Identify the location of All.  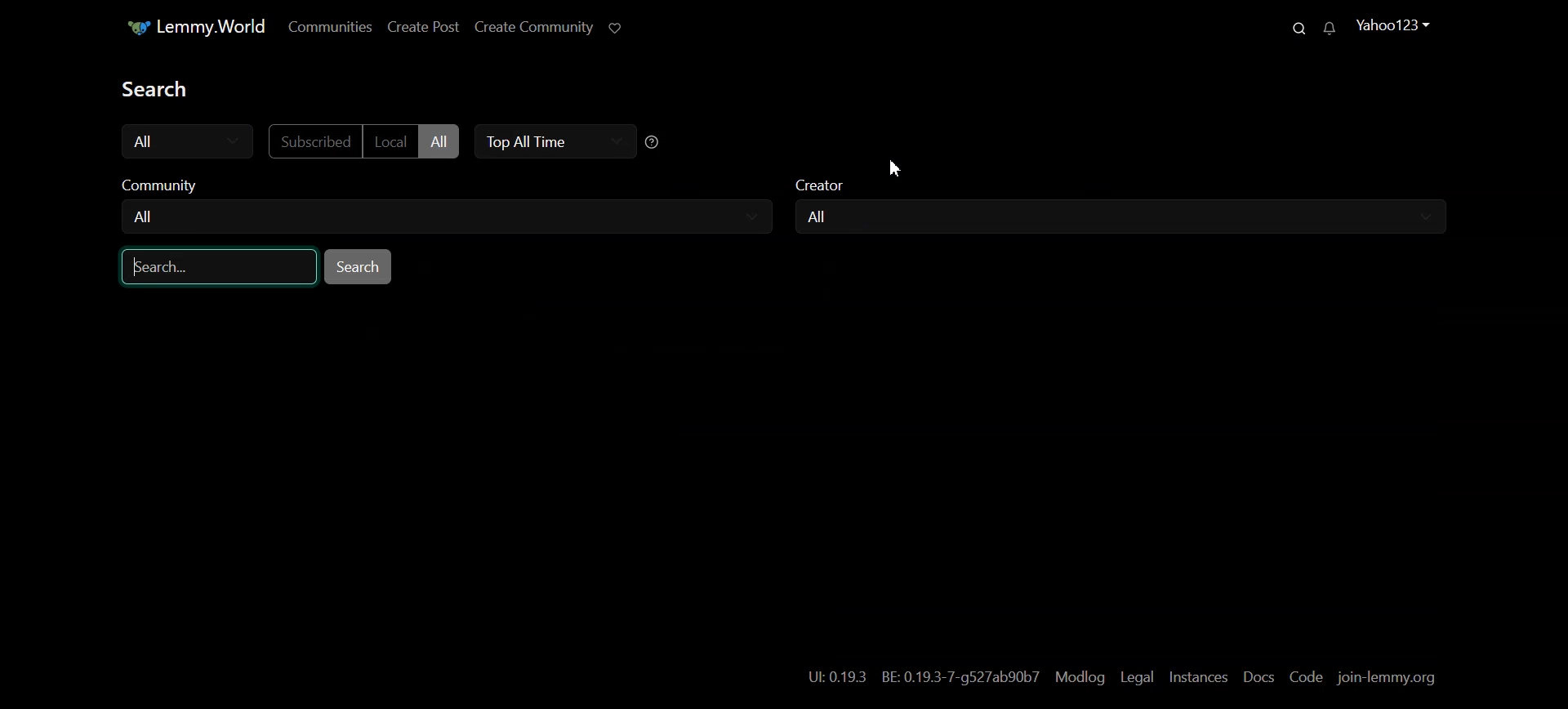
(146, 216).